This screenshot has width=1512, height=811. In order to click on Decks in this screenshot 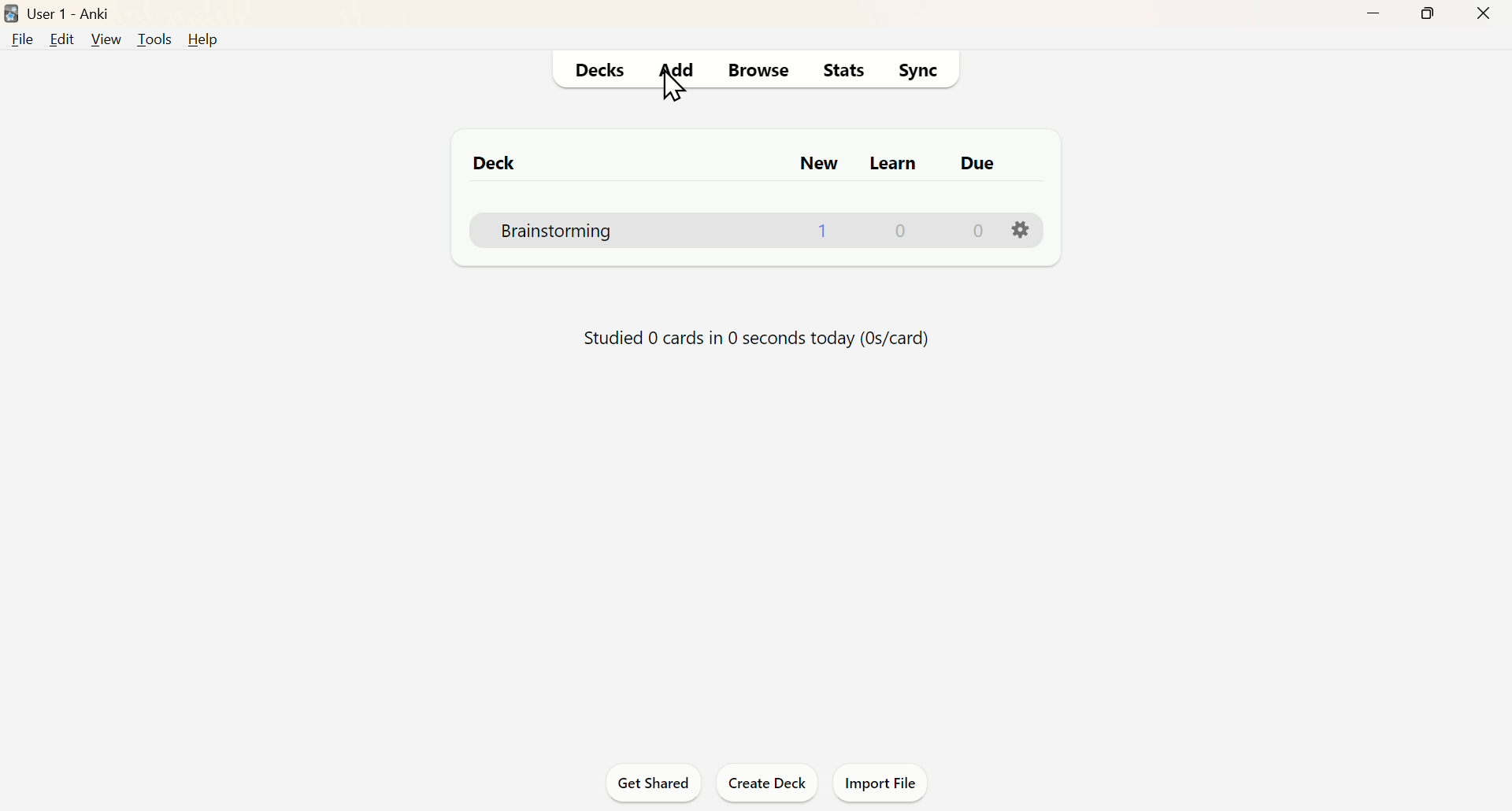, I will do `click(596, 69)`.